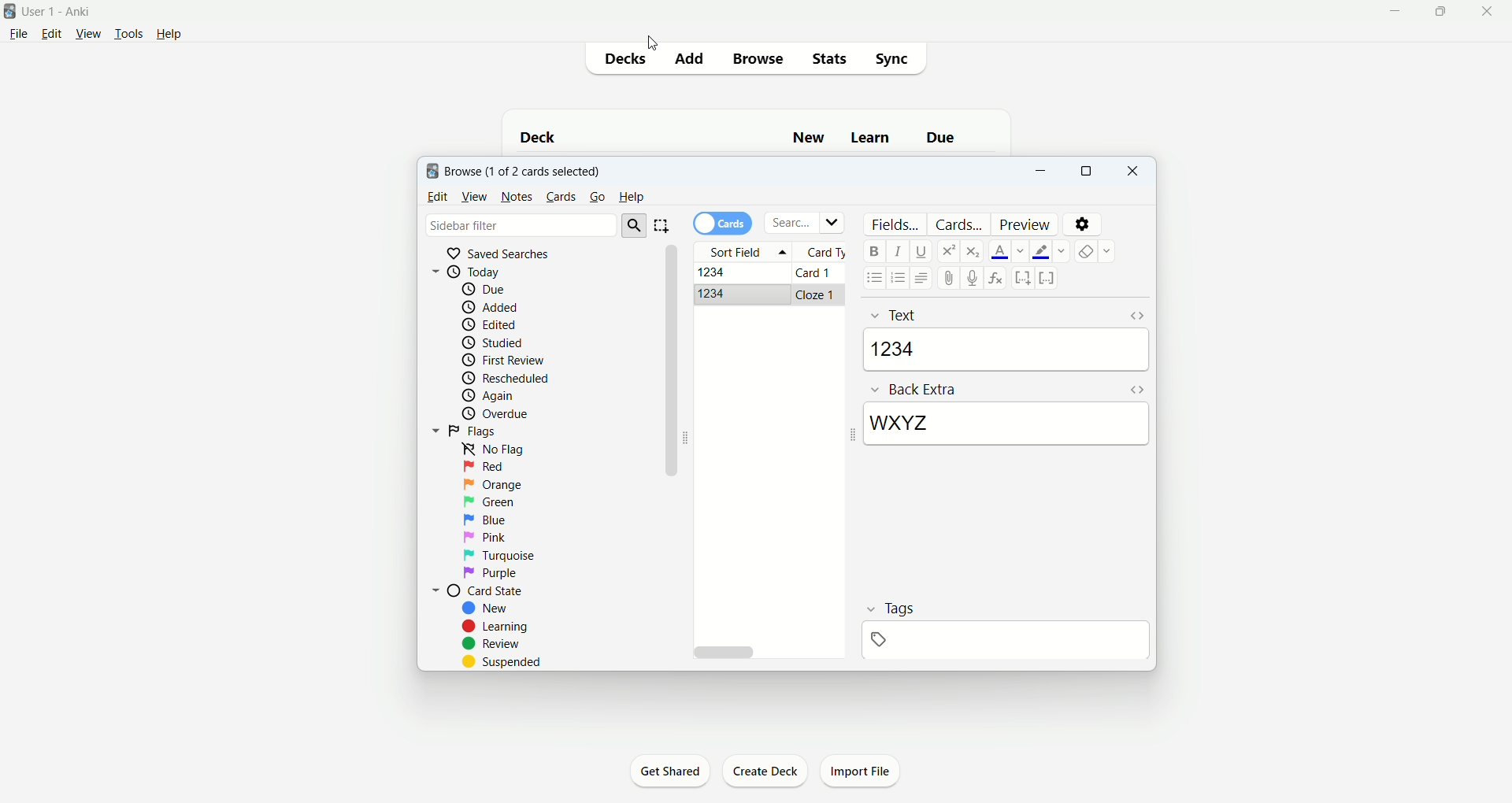  Describe the element at coordinates (899, 251) in the screenshot. I see `italics` at that location.